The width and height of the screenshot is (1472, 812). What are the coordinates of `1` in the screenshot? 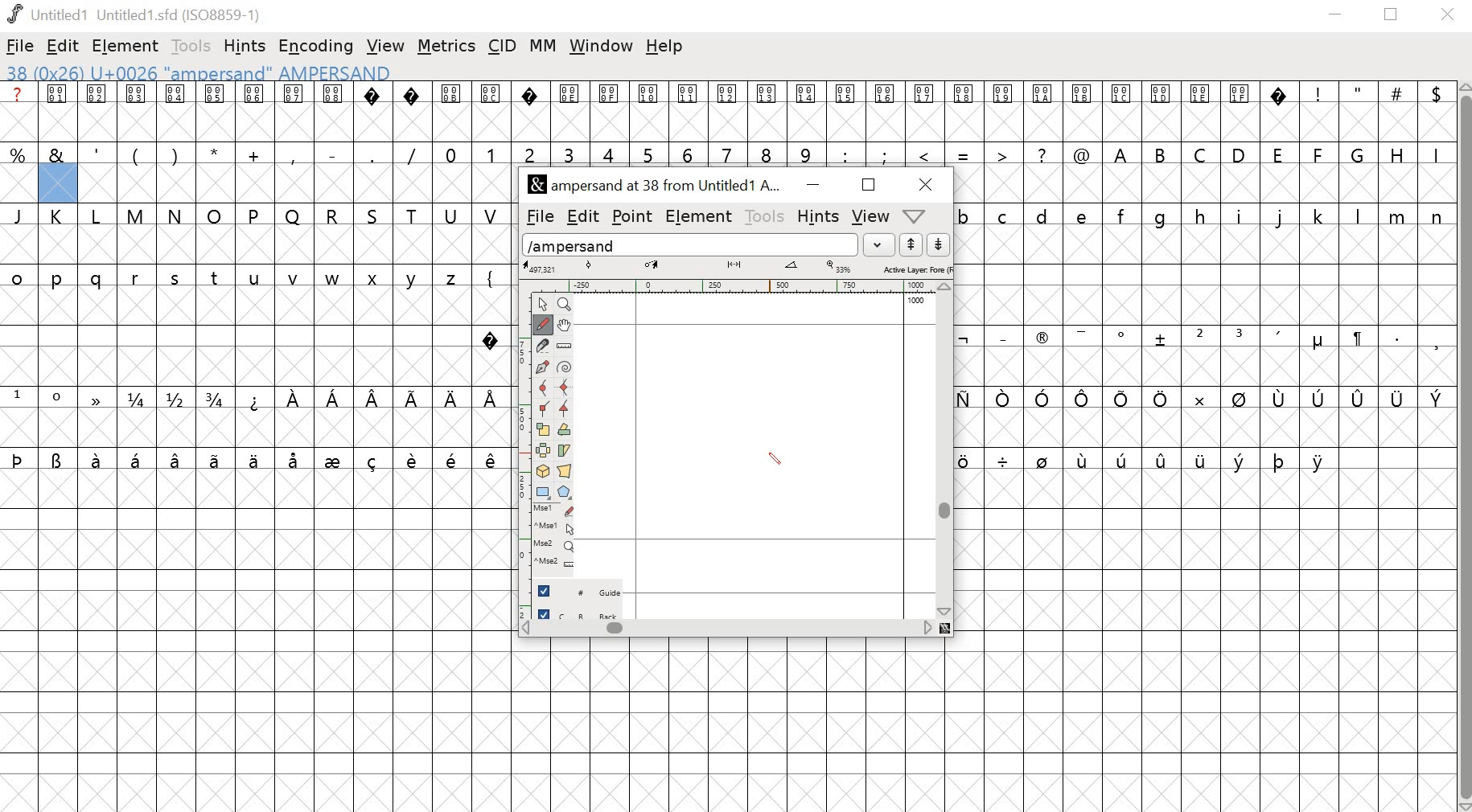 It's located at (491, 153).